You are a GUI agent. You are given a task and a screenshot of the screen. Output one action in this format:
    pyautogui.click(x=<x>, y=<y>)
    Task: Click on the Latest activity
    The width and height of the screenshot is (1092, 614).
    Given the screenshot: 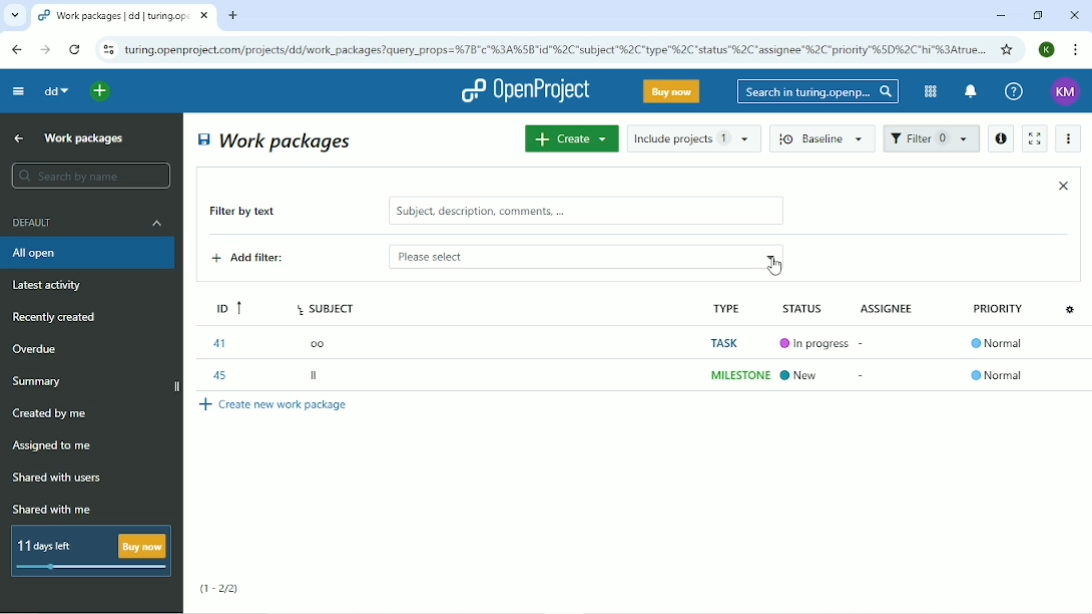 What is the action you would take?
    pyautogui.click(x=53, y=287)
    